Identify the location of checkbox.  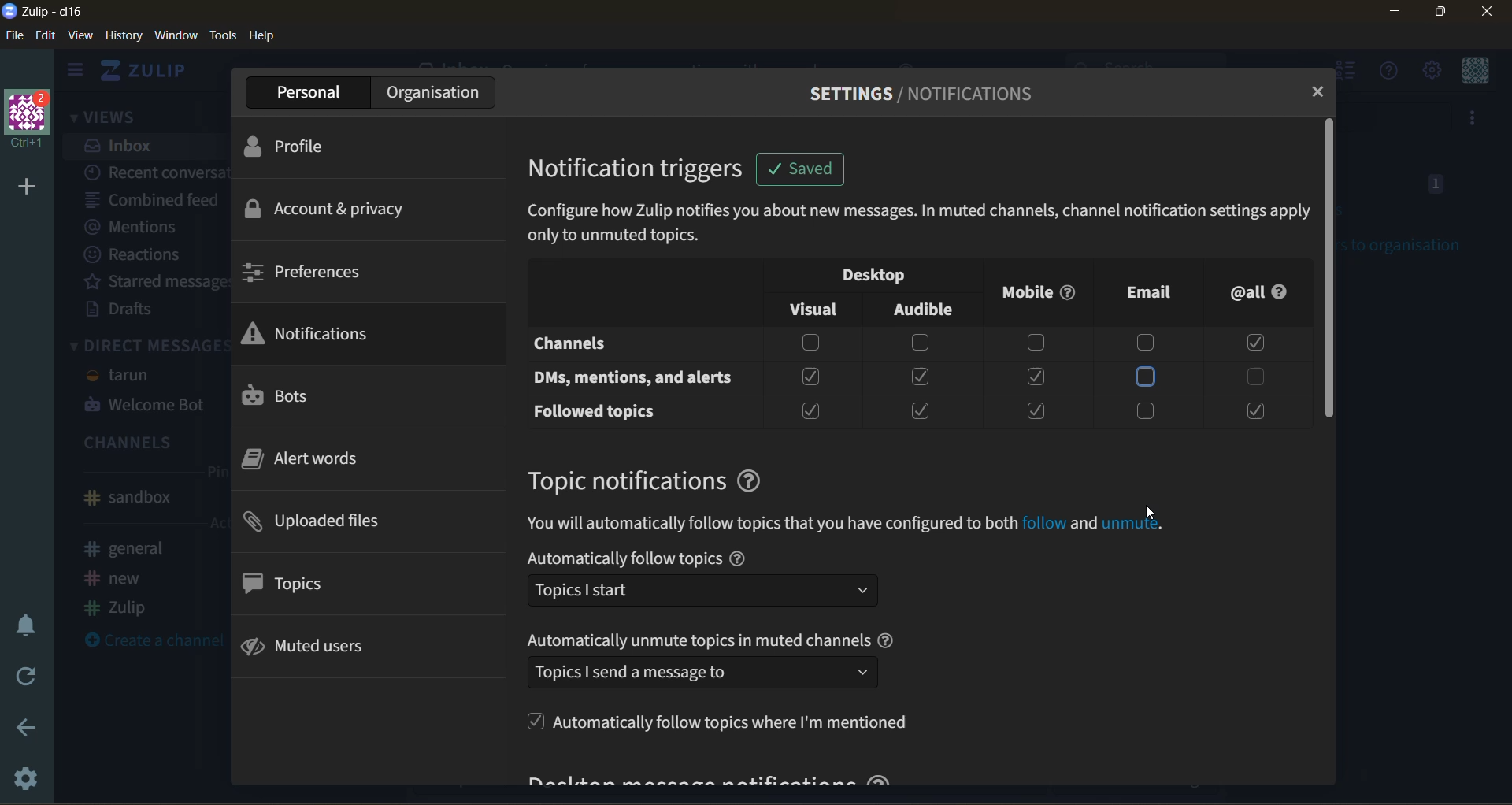
(1038, 410).